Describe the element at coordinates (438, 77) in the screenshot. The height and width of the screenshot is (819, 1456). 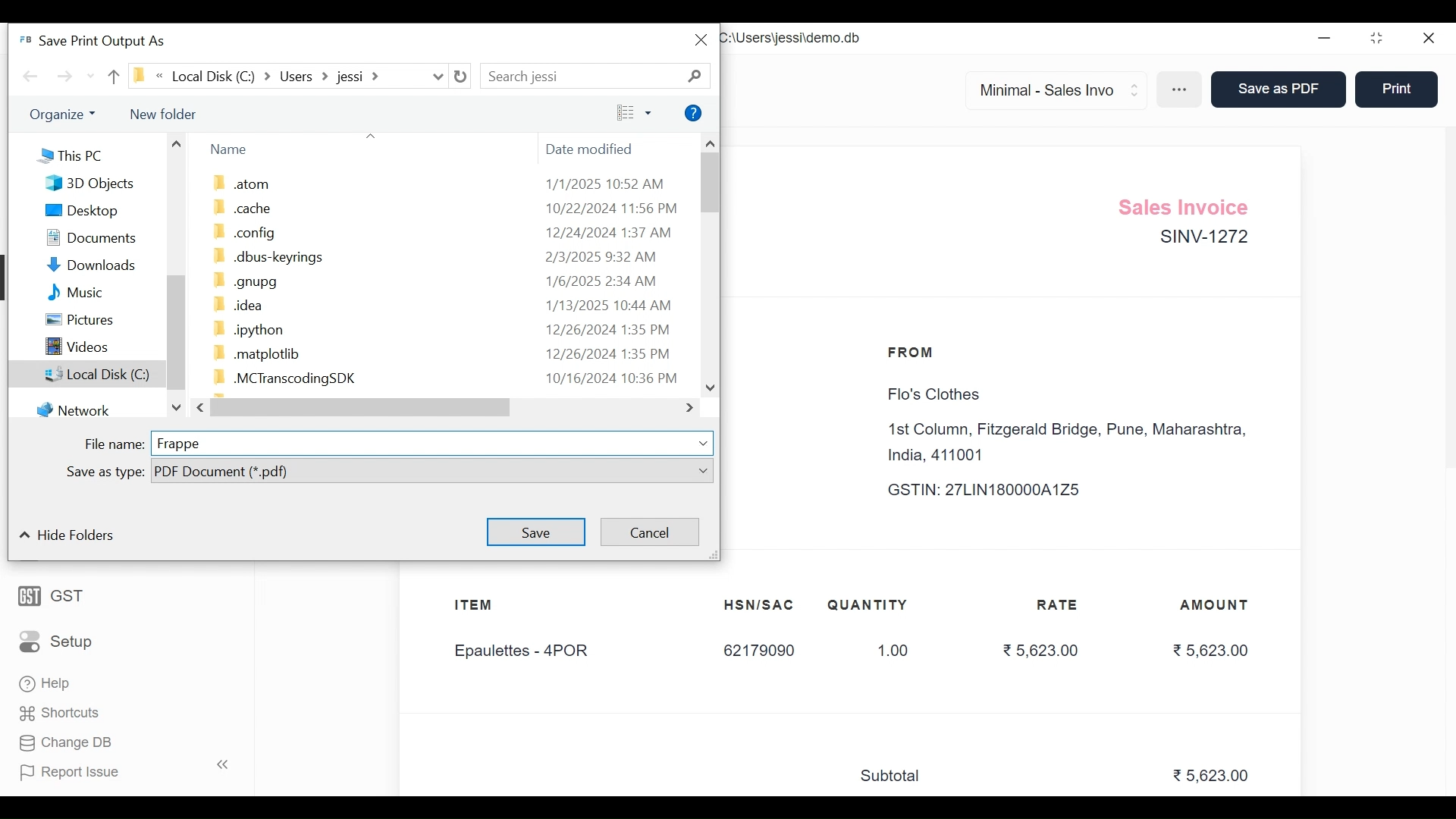
I see `Expand` at that location.